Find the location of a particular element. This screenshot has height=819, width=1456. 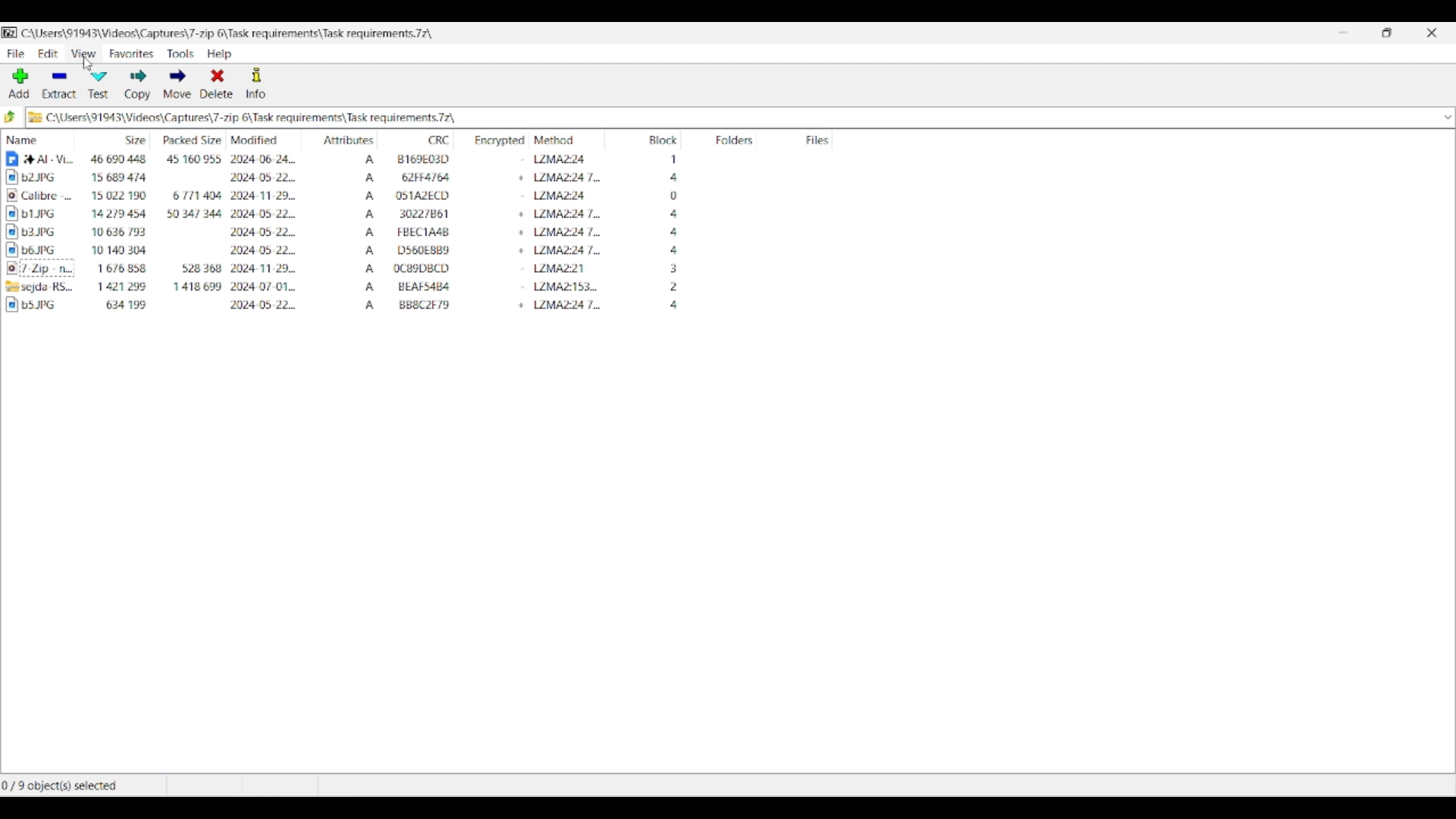

Help menu is located at coordinates (220, 54).